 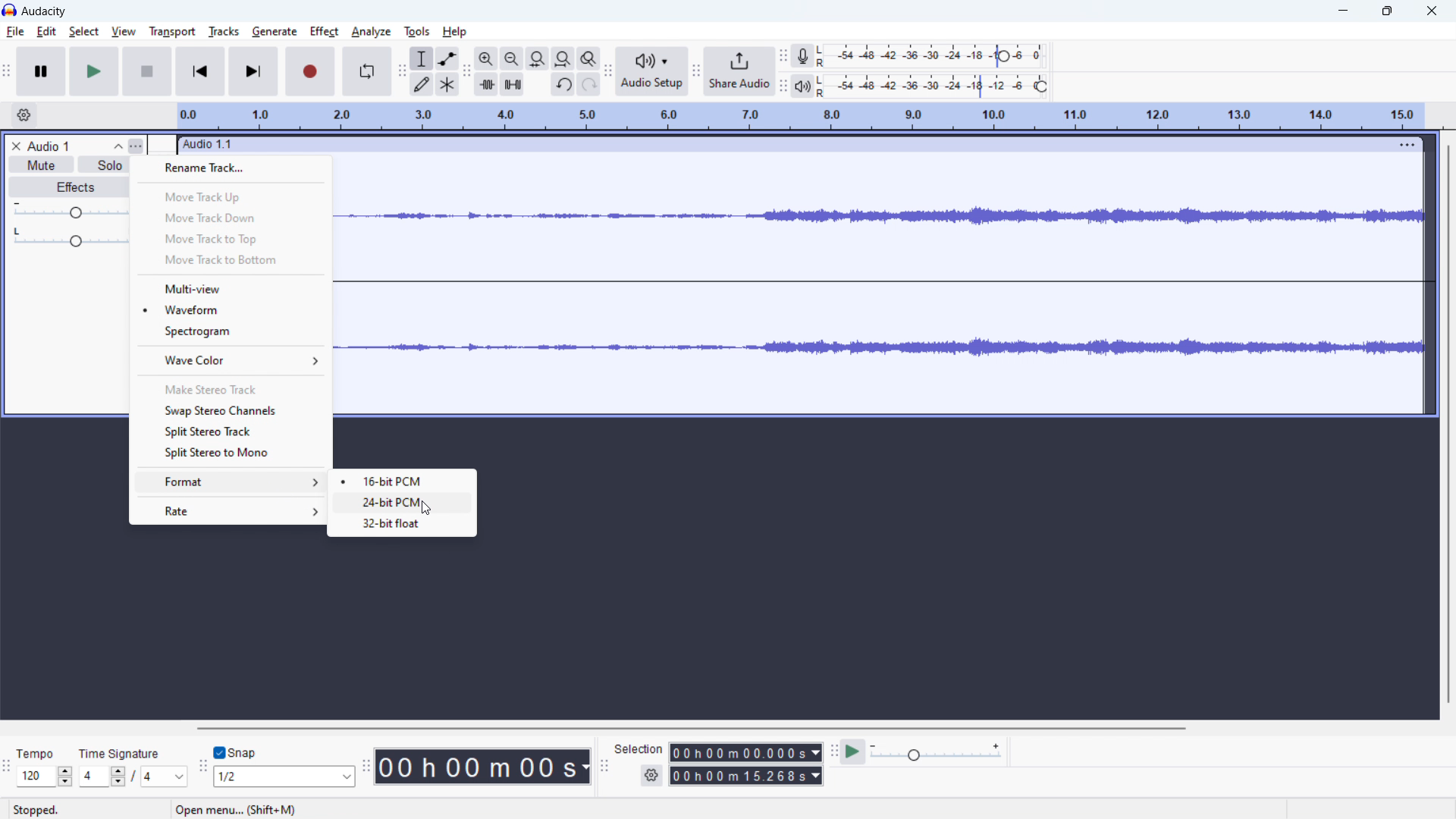 I want to click on fit selection to width, so click(x=538, y=58).